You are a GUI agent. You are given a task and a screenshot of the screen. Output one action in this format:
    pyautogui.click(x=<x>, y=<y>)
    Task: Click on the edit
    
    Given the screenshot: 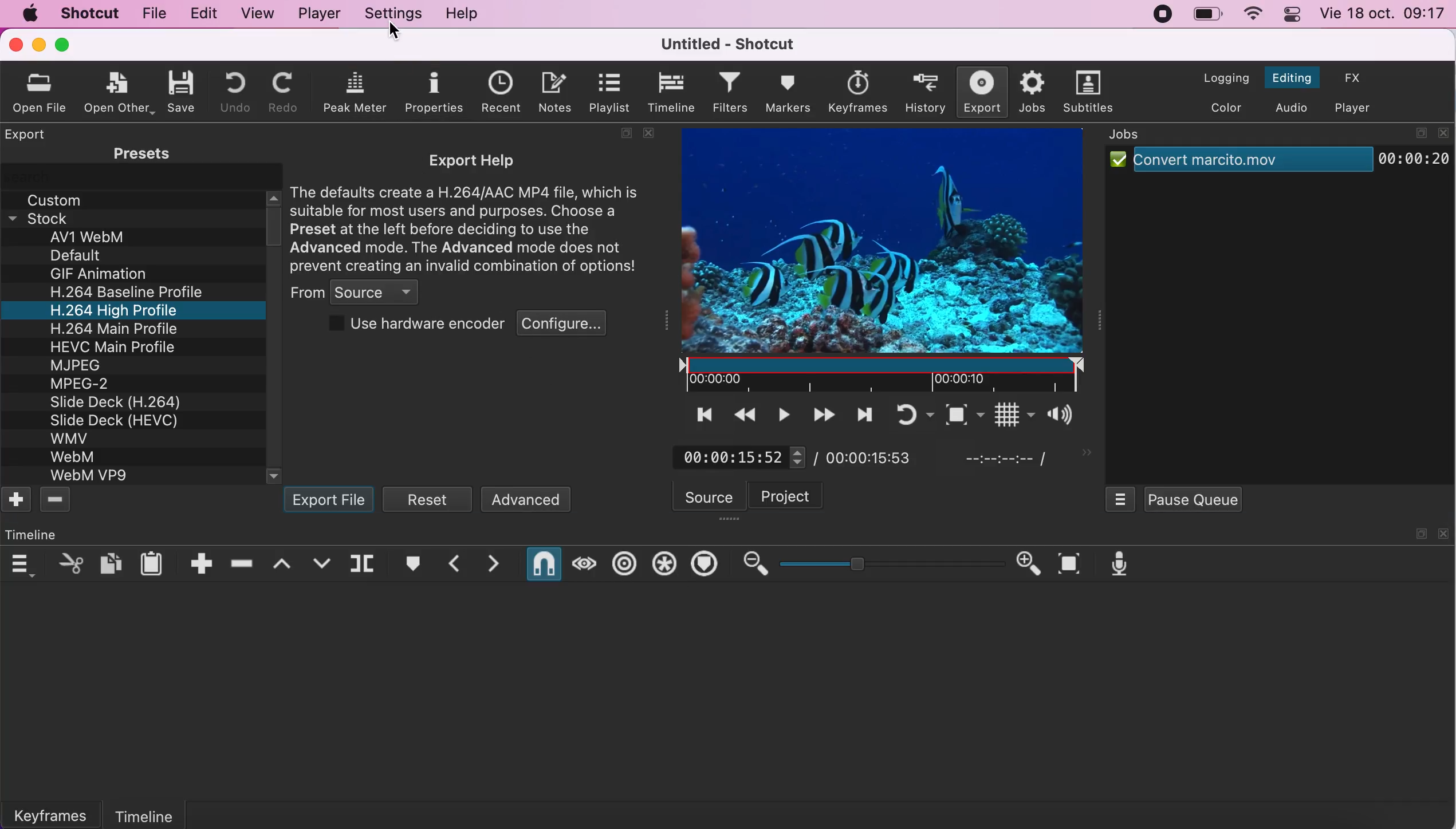 What is the action you would take?
    pyautogui.click(x=201, y=12)
    